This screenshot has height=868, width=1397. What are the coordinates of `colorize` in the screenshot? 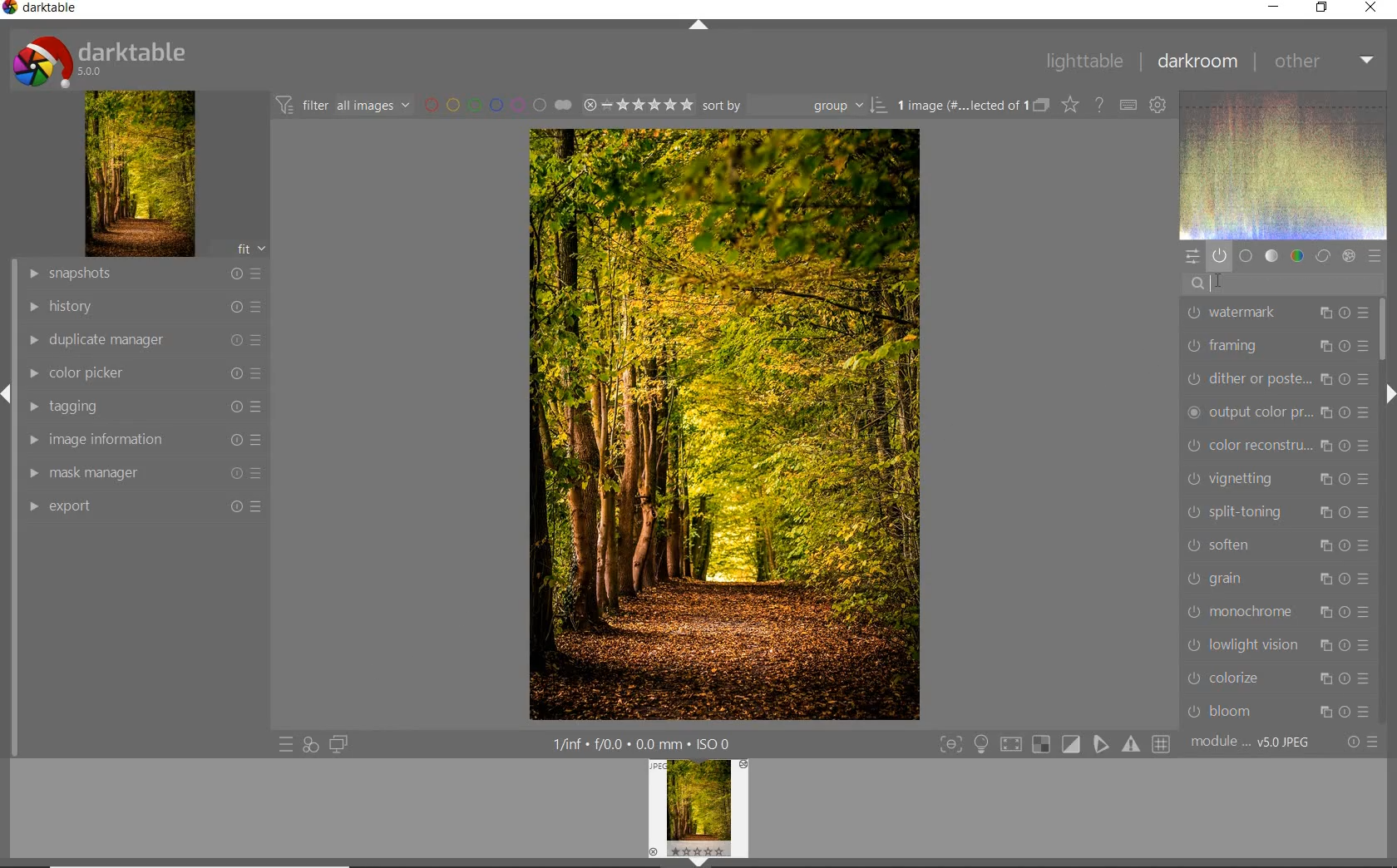 It's located at (1281, 679).